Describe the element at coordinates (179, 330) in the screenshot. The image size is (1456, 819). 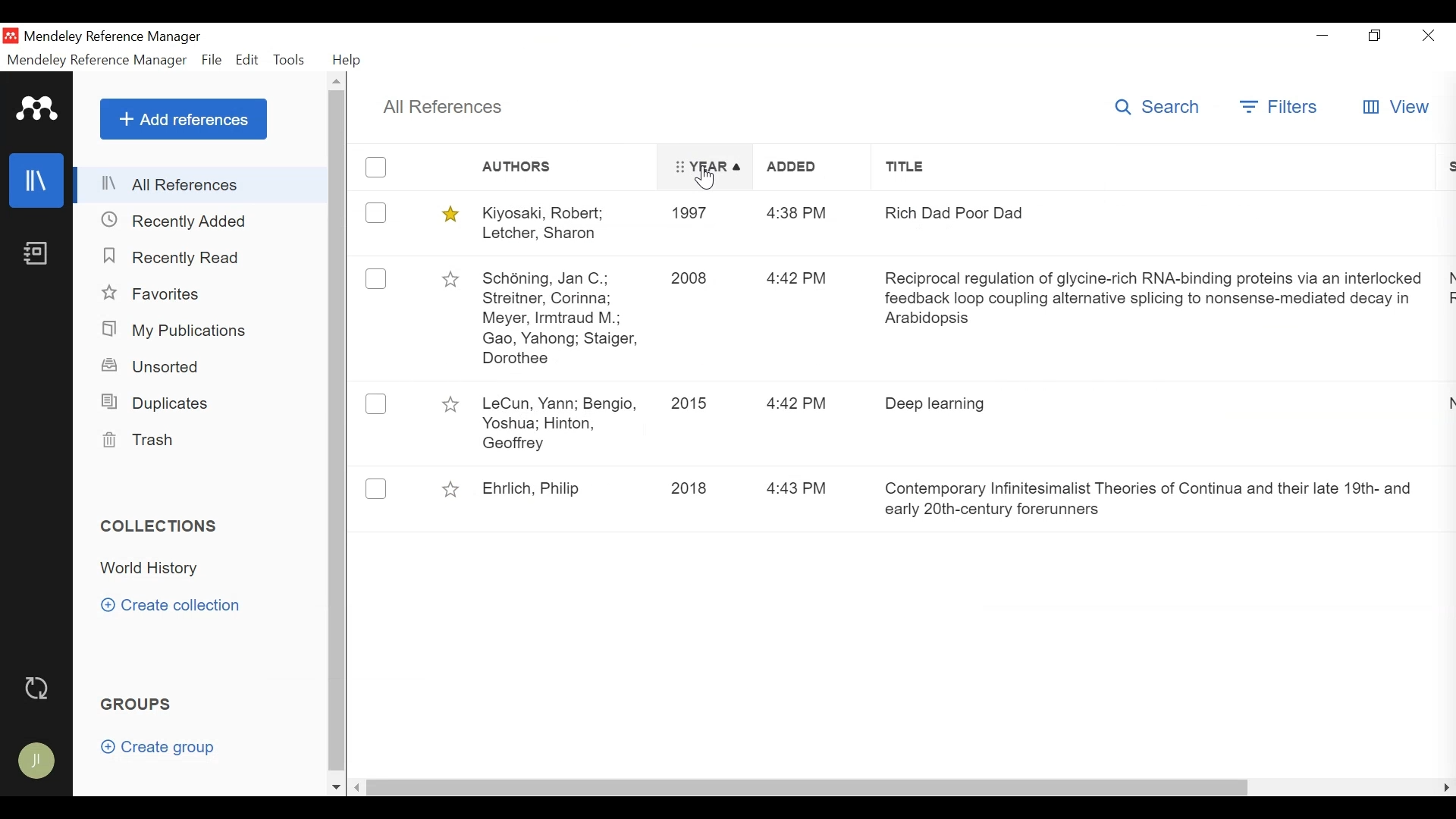
I see `My Publications` at that location.